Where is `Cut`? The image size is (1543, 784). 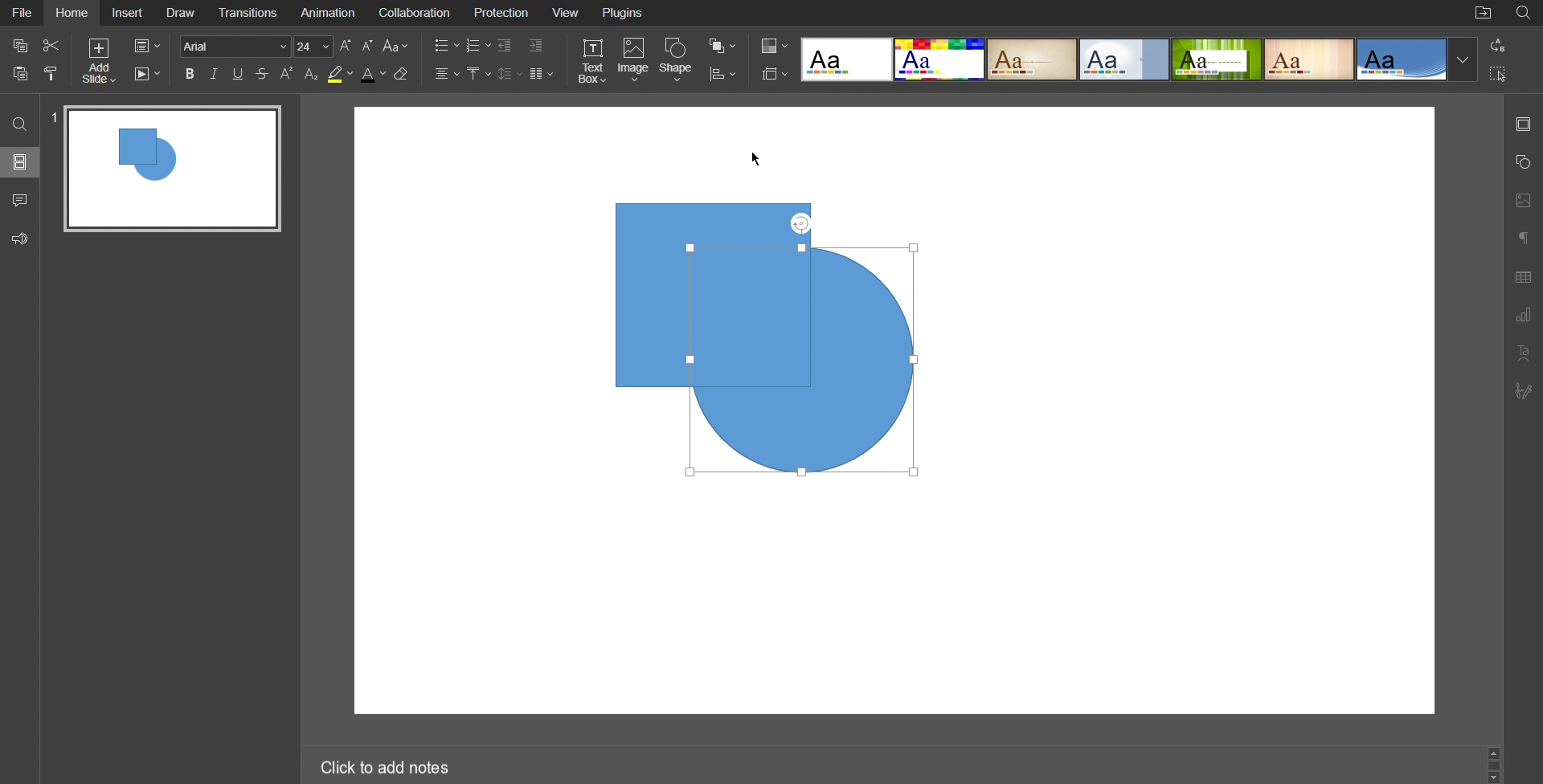
Cut is located at coordinates (51, 47).